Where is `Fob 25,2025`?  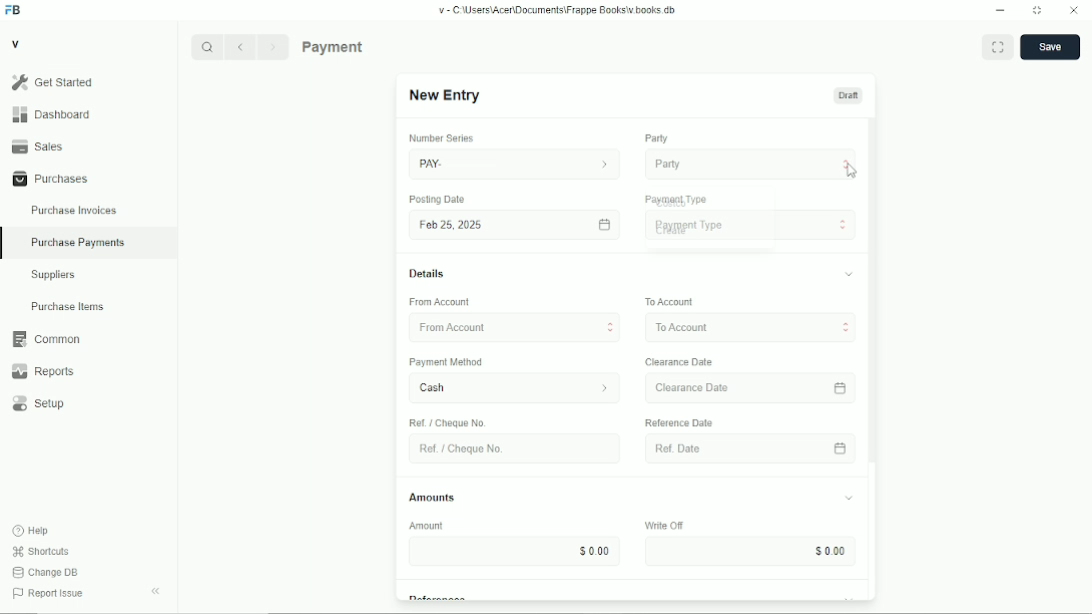 Fob 25,2025 is located at coordinates (511, 224).